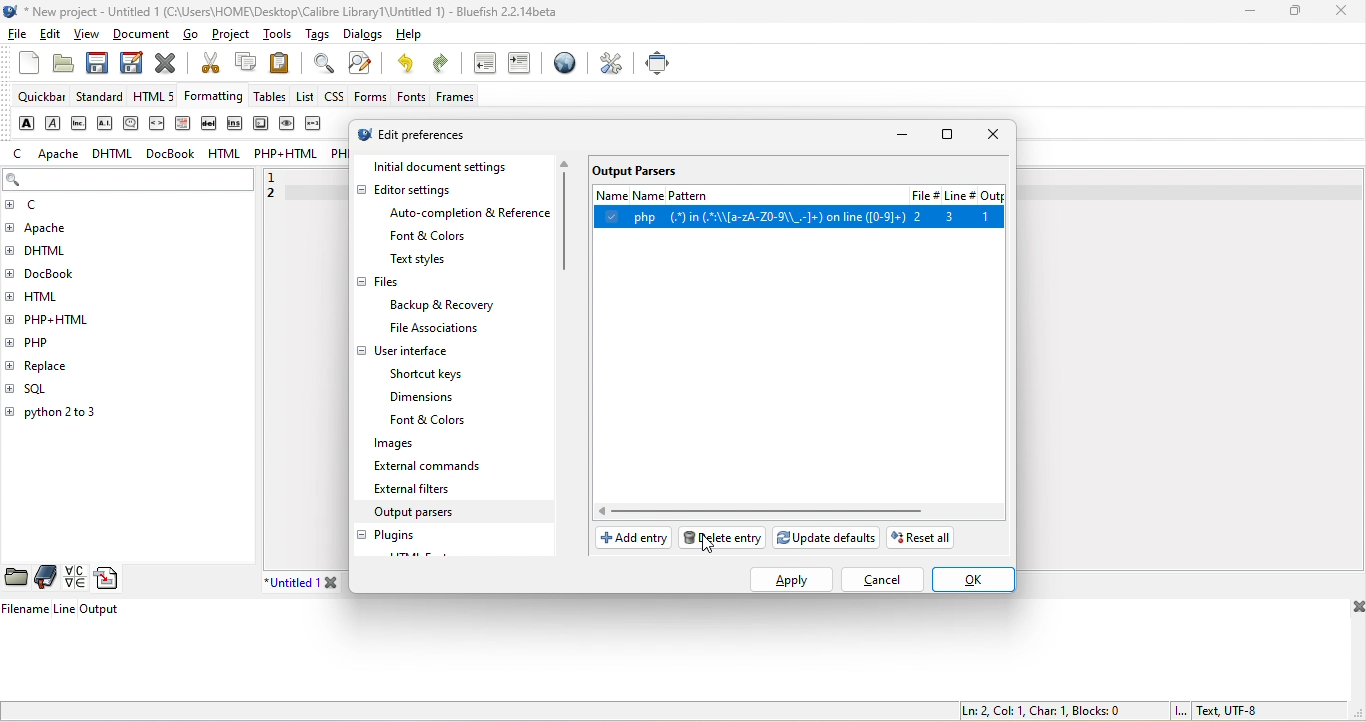 Image resolution: width=1366 pixels, height=722 pixels. I want to click on title, so click(282, 12).